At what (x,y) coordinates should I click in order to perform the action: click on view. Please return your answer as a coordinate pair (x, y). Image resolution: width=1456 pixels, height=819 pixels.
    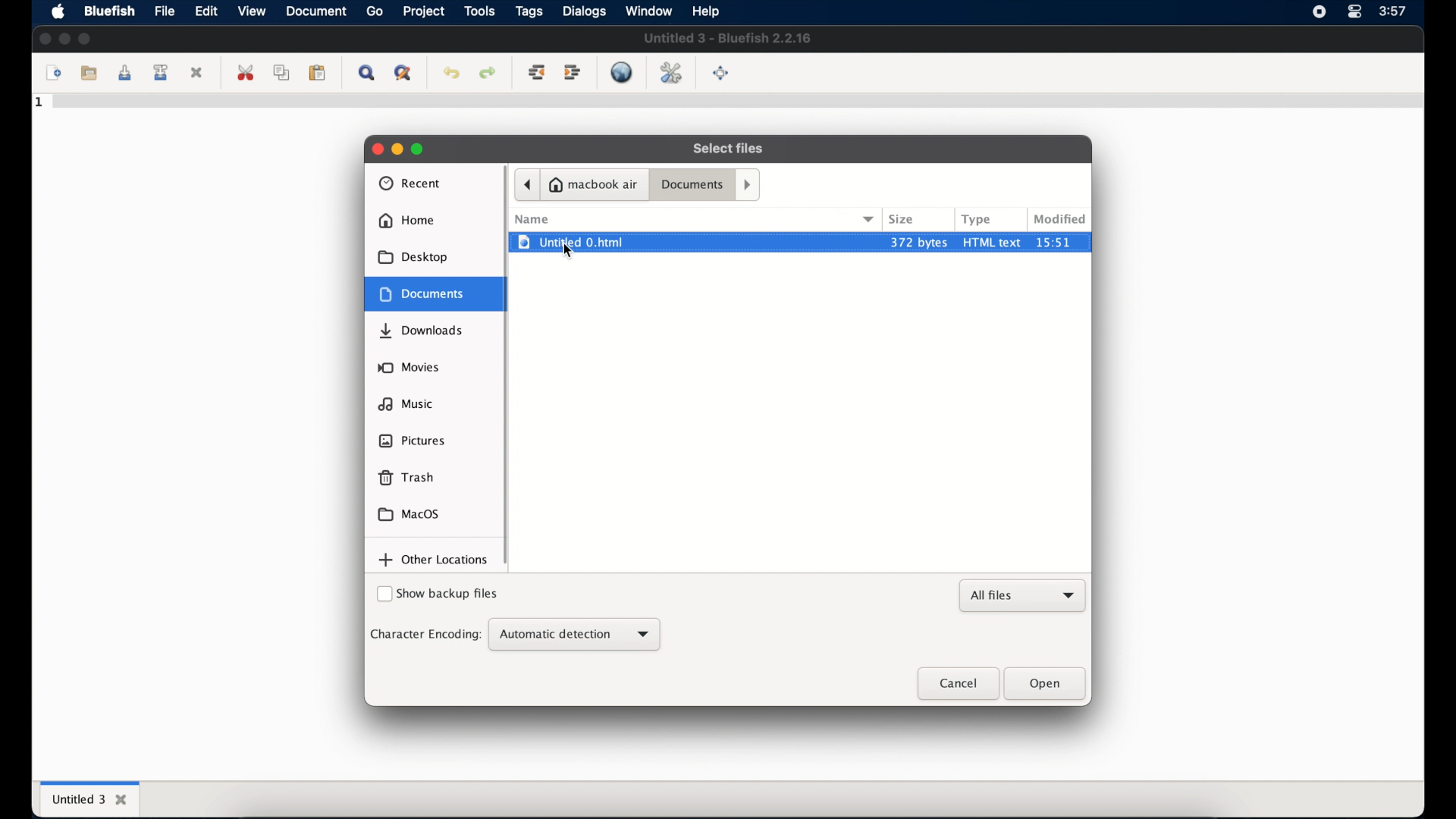
    Looking at the image, I should click on (251, 11).